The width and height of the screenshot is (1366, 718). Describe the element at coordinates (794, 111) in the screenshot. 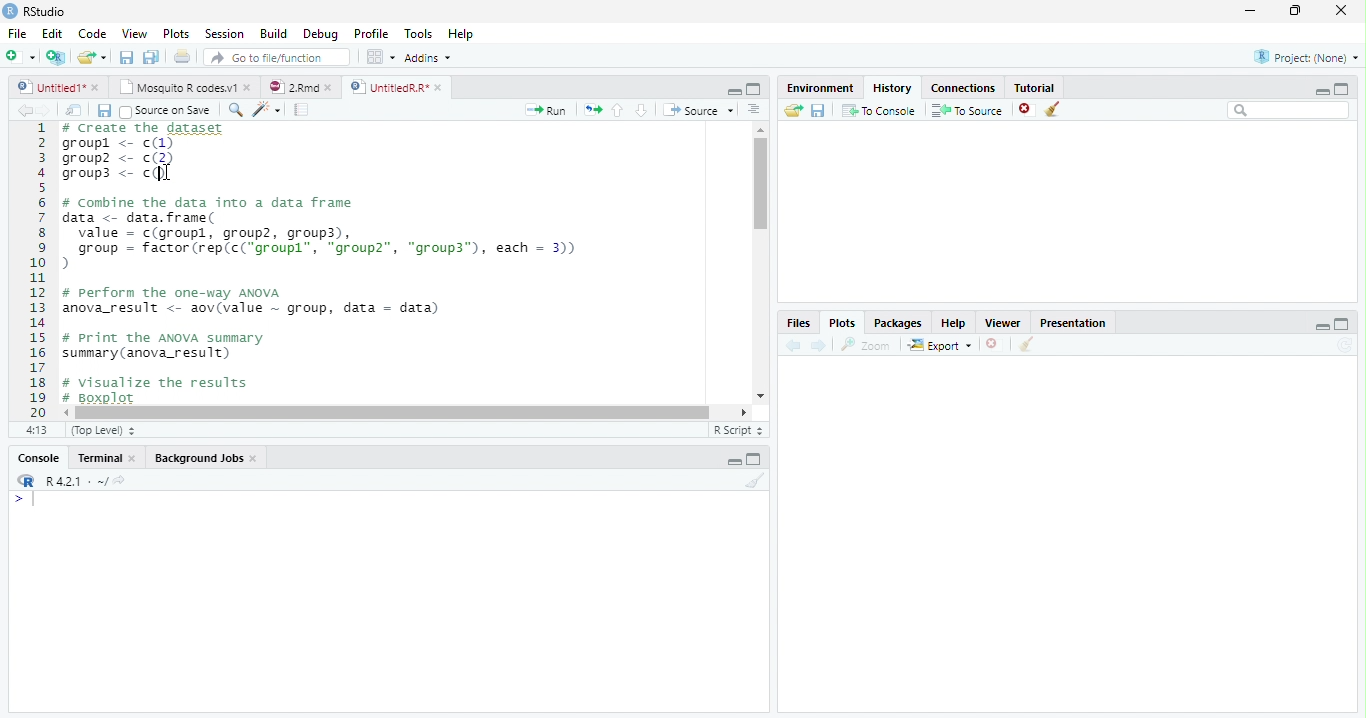

I see `Load Workspace` at that location.